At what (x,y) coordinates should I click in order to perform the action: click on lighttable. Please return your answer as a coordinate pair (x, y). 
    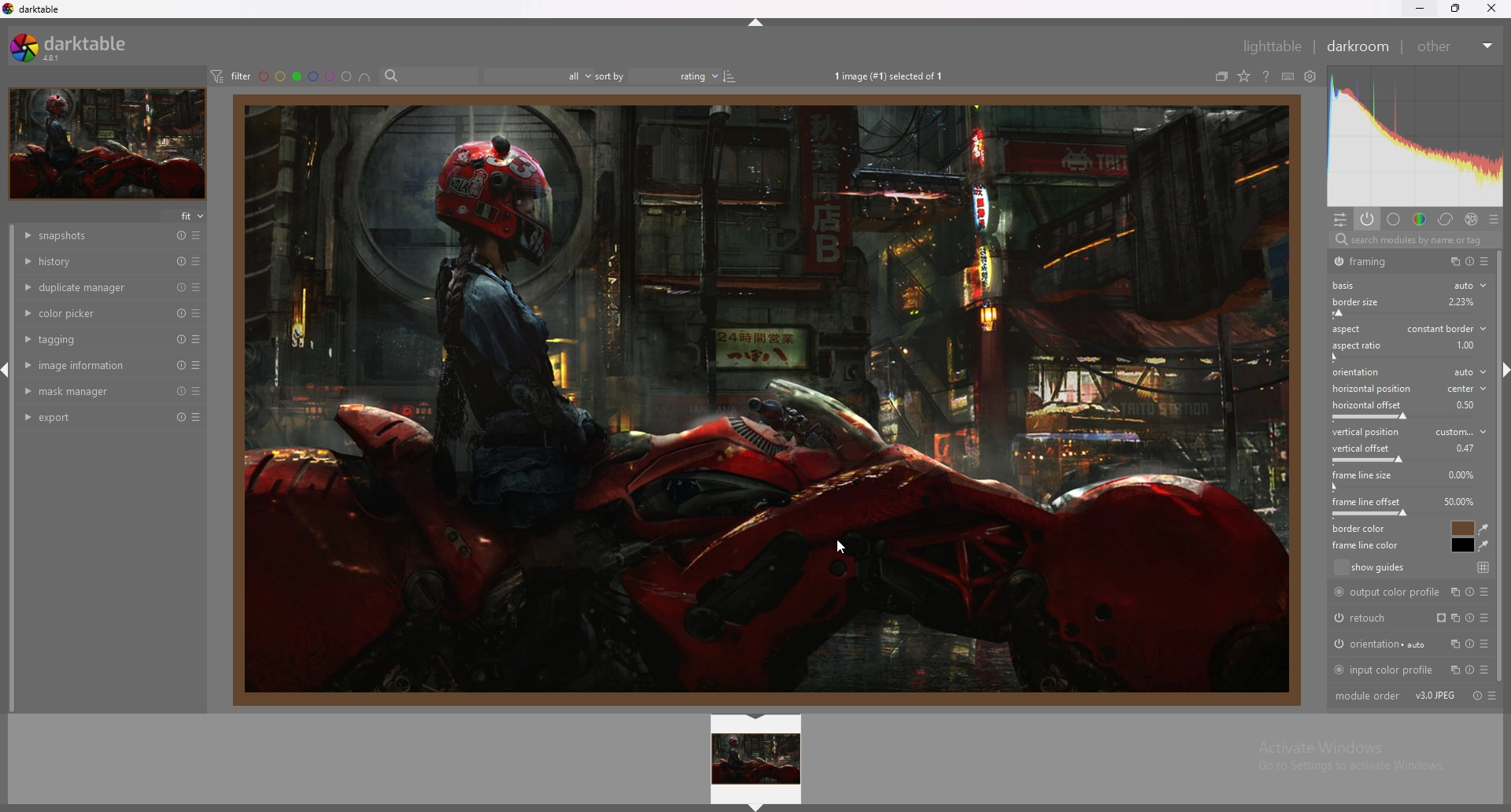
    Looking at the image, I should click on (1264, 46).